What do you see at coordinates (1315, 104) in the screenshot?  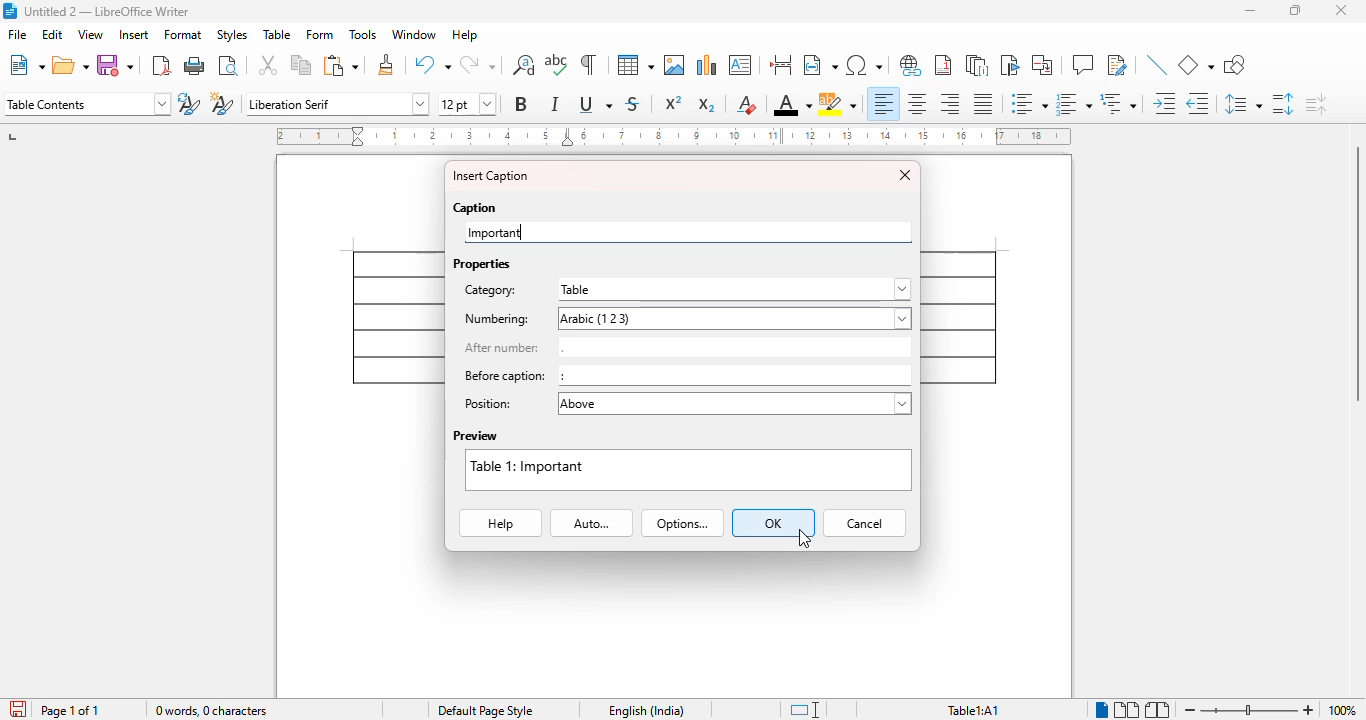 I see `decrease paragraph spacing` at bounding box center [1315, 104].